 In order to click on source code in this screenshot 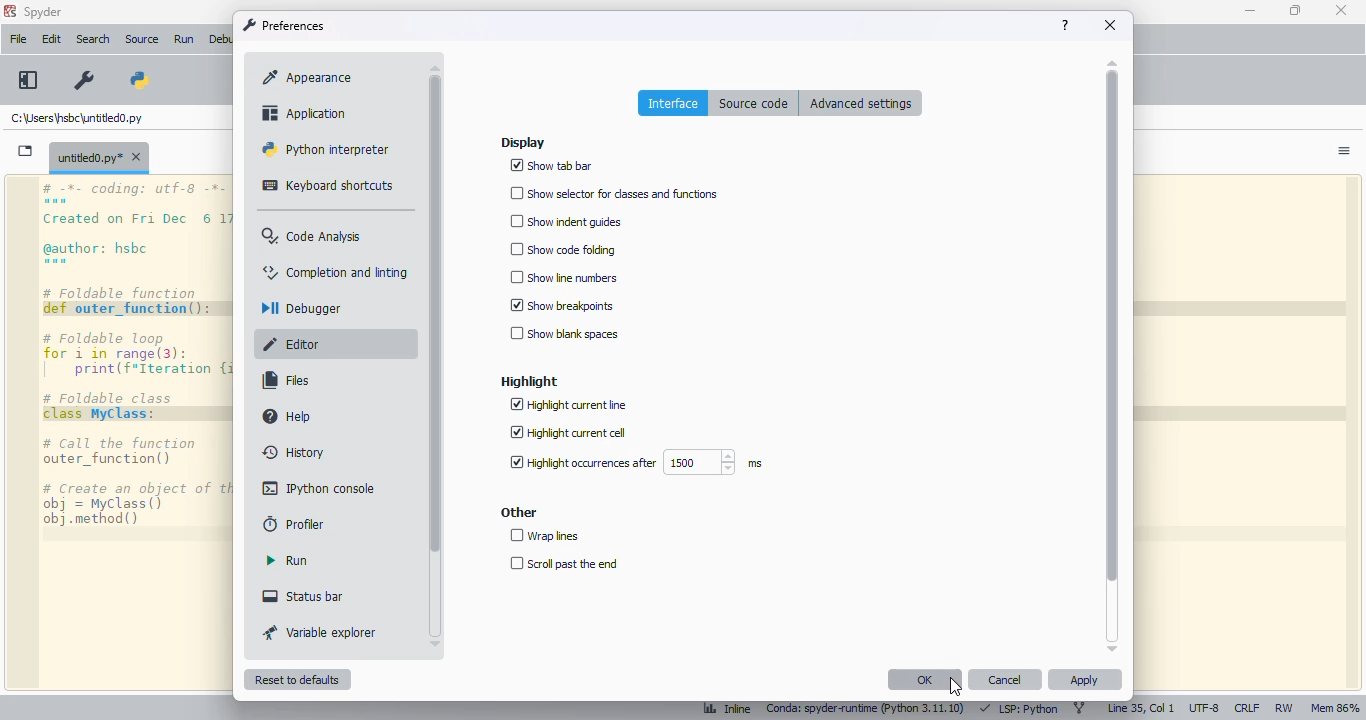, I will do `click(754, 103)`.